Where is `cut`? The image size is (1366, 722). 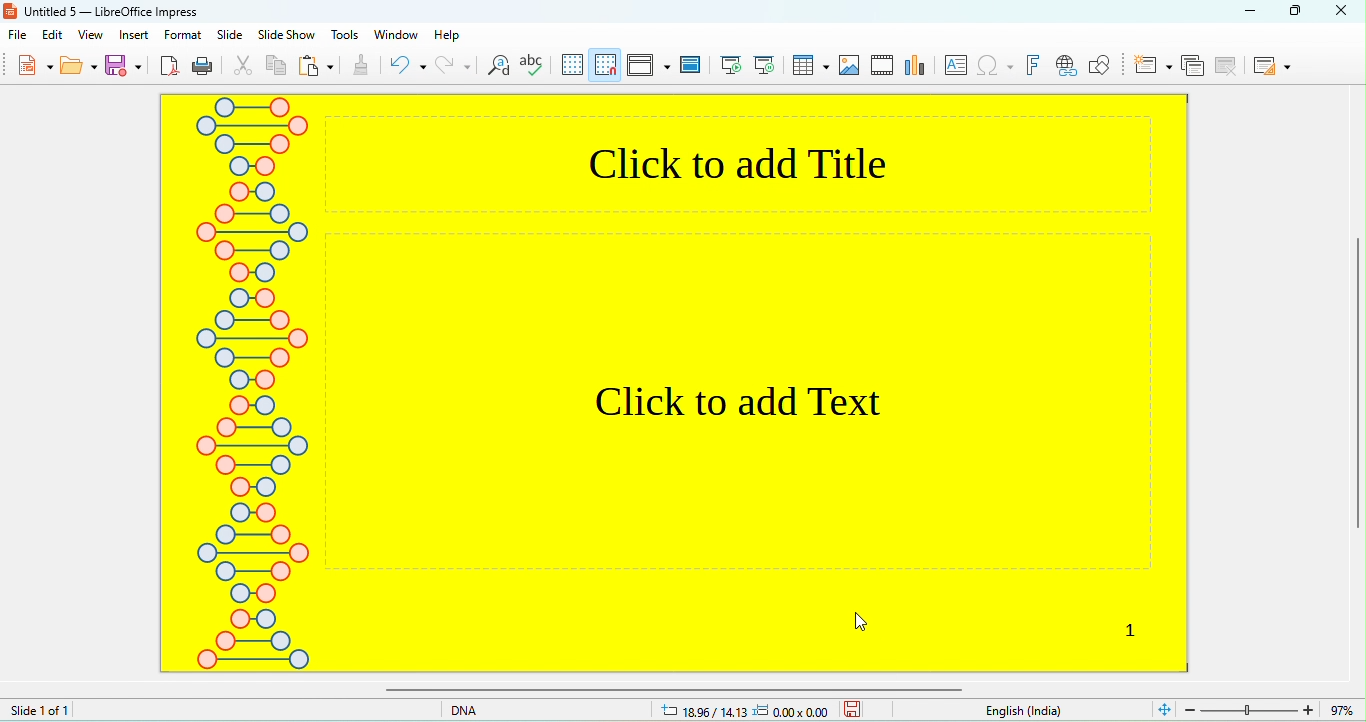 cut is located at coordinates (244, 67).